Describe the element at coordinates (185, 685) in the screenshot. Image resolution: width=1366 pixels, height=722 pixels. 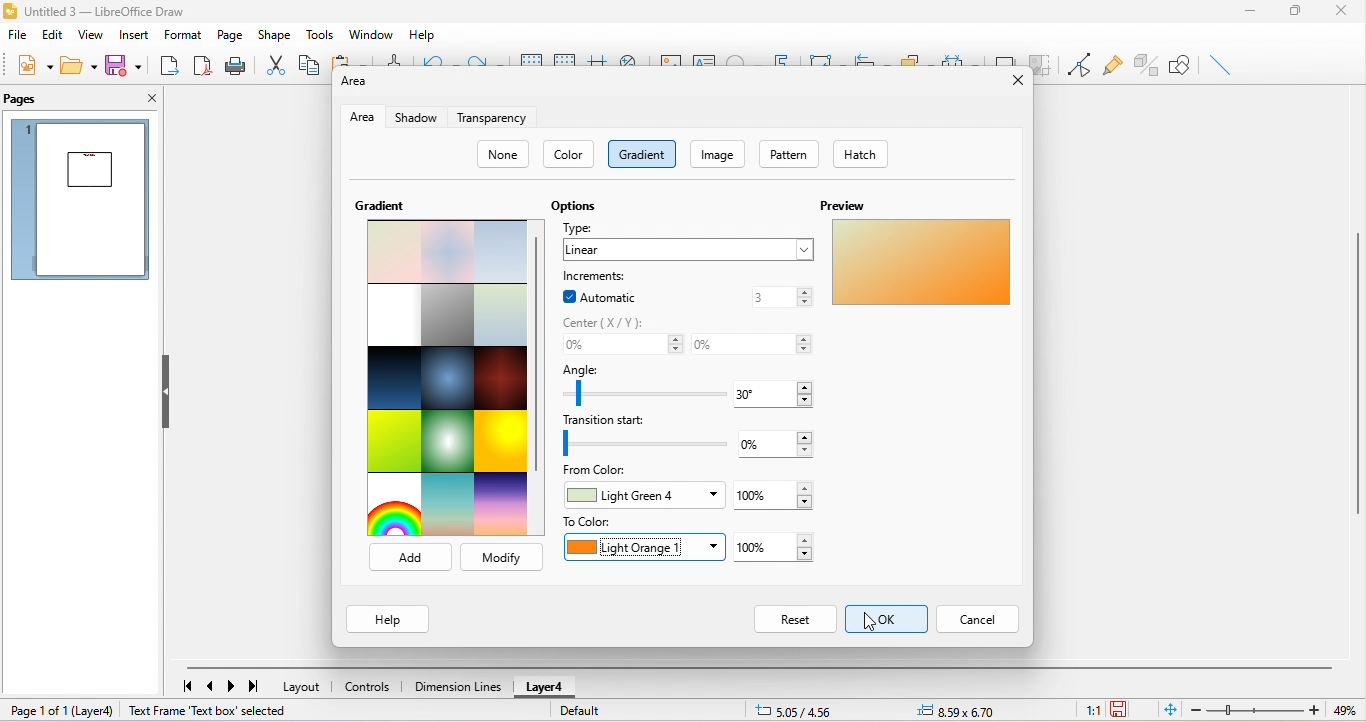
I see `first page` at that location.